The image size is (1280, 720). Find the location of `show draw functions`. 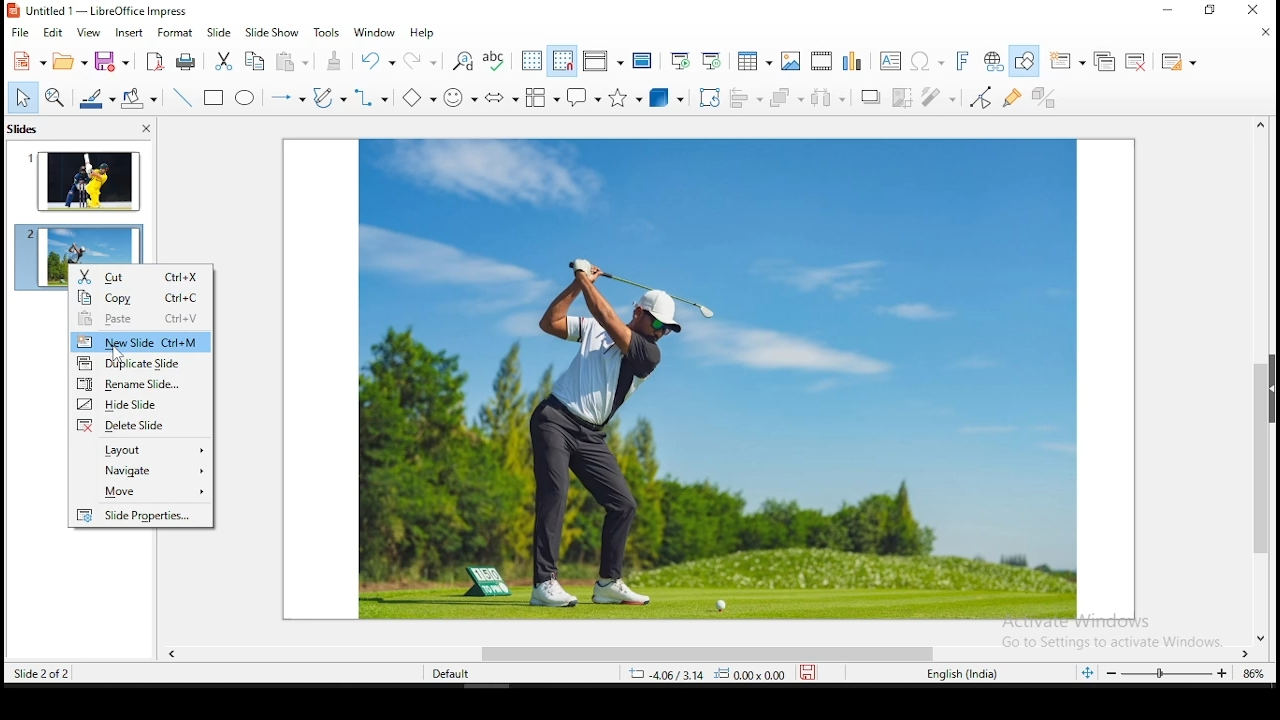

show draw functions is located at coordinates (1024, 63).